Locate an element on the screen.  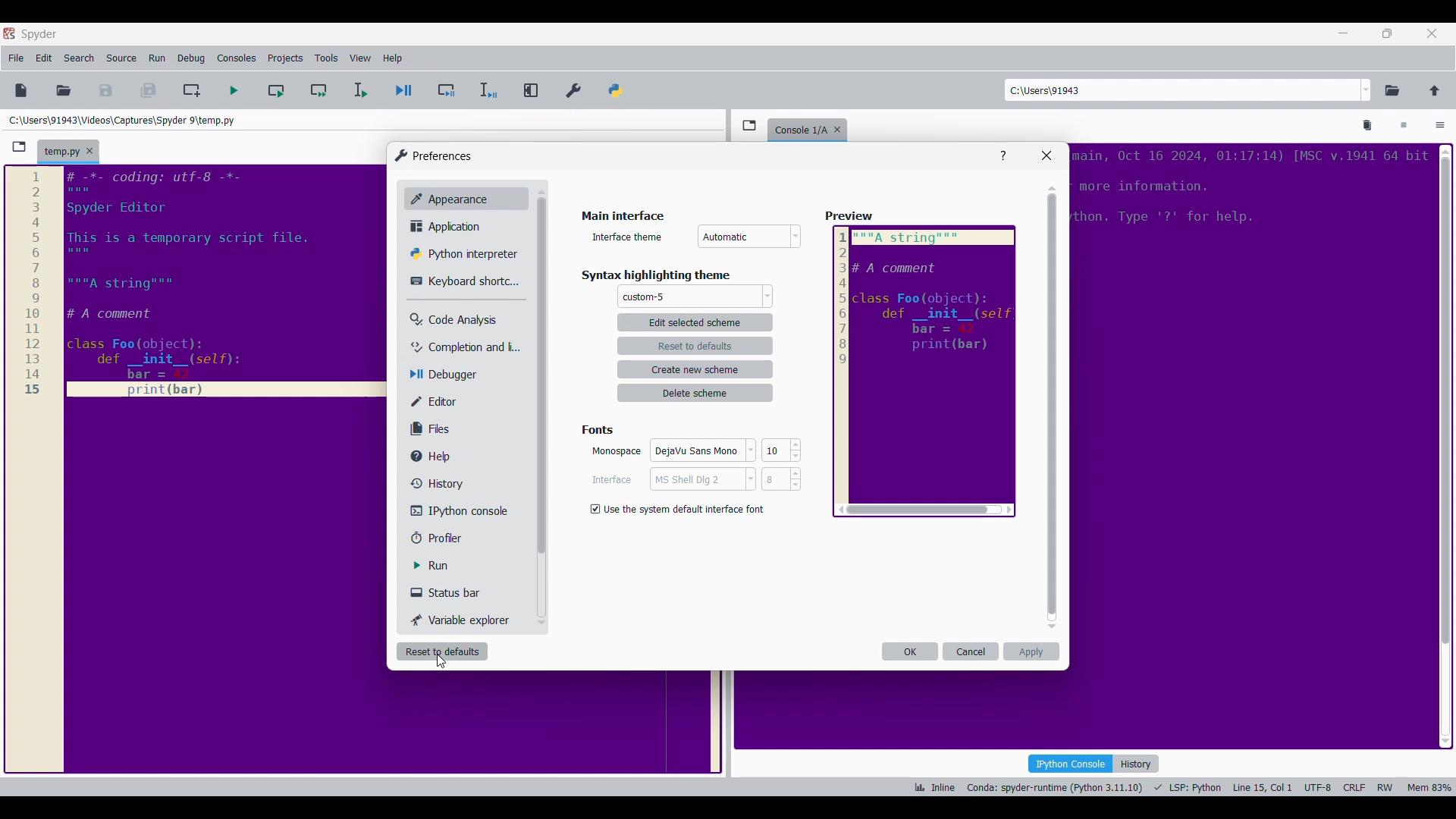
New file is located at coordinates (22, 90).